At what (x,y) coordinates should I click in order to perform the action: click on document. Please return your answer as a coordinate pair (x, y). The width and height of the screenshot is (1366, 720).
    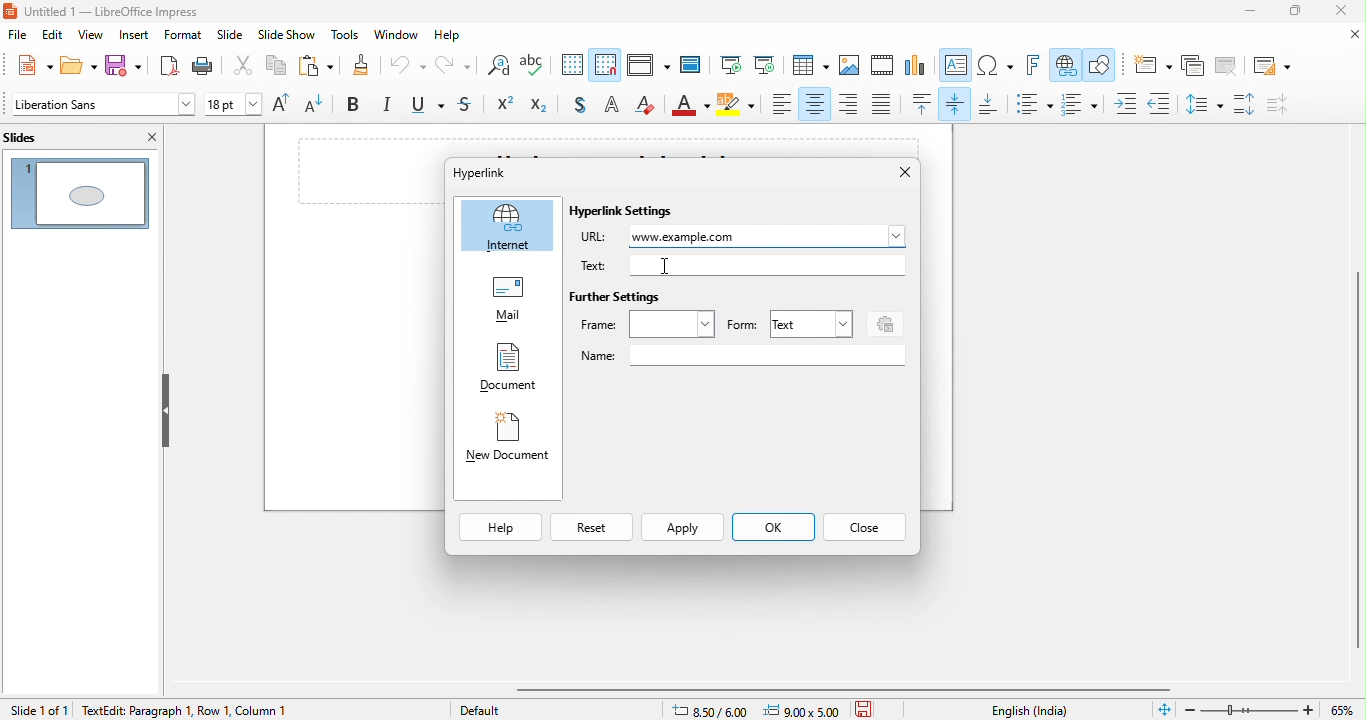
    Looking at the image, I should click on (507, 370).